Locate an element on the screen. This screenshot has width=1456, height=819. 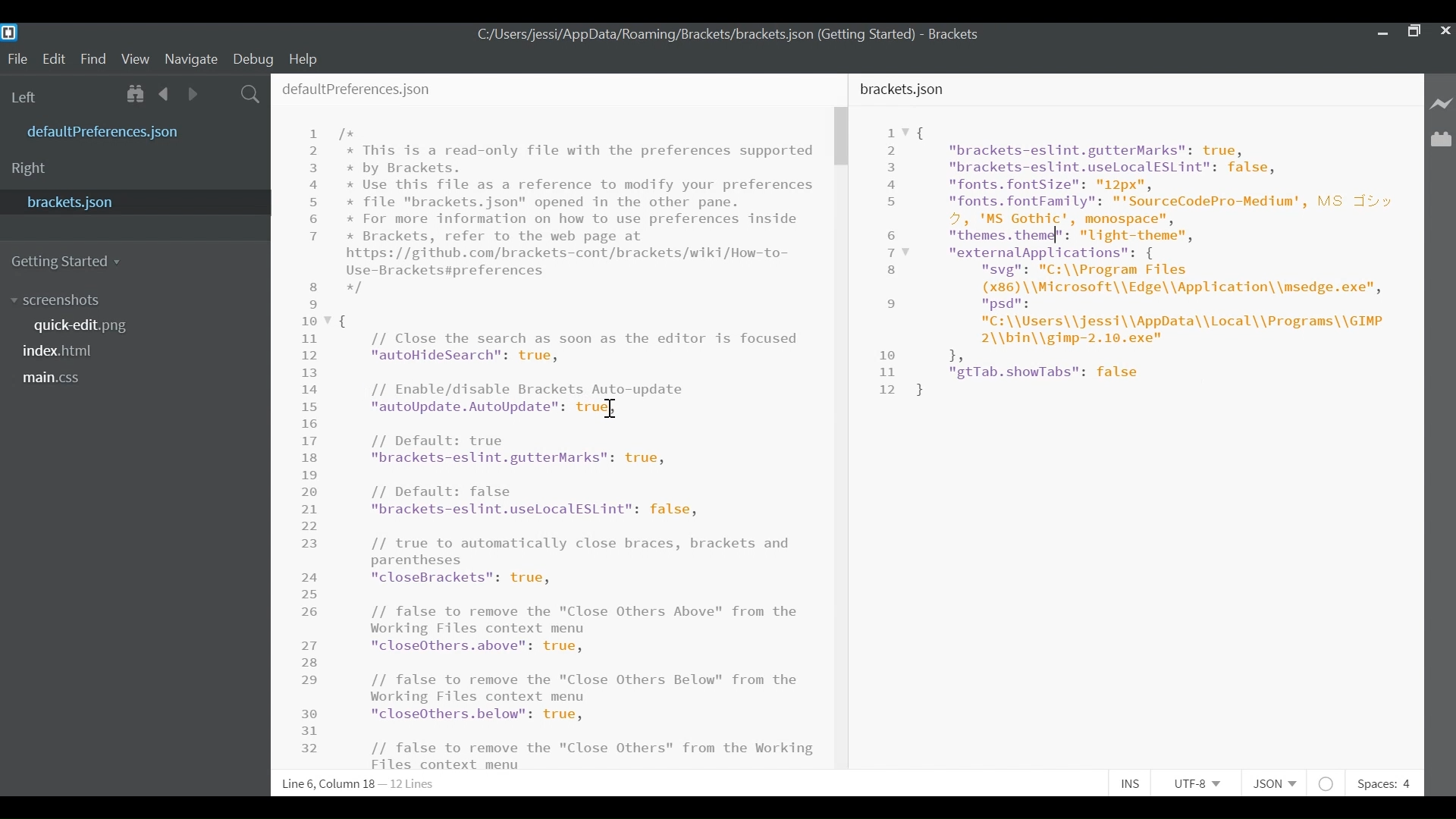
Split the Editor Vertically or Horizontally is located at coordinates (221, 93).